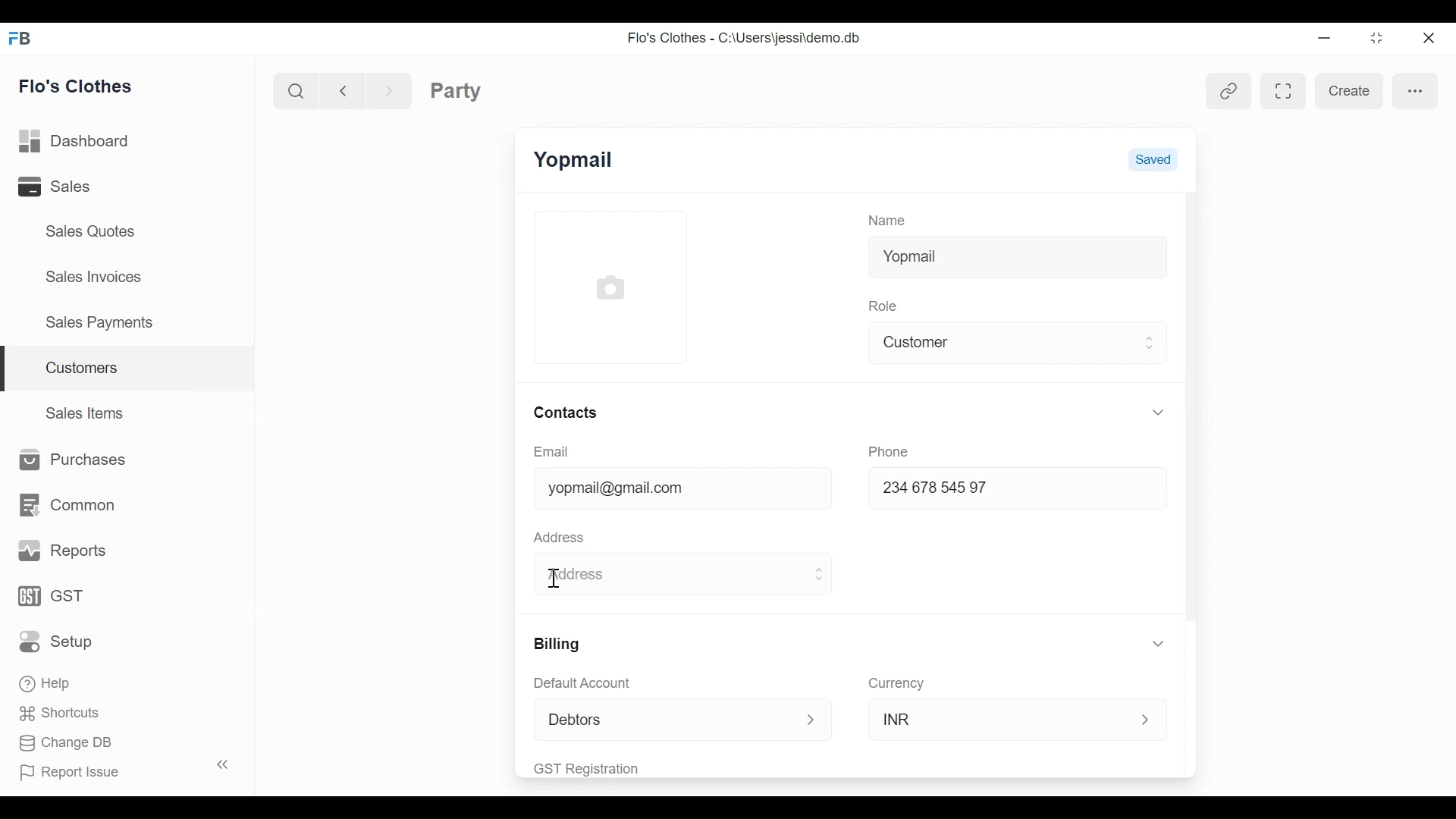  What do you see at coordinates (79, 142) in the screenshot?
I see `Dashboard` at bounding box center [79, 142].